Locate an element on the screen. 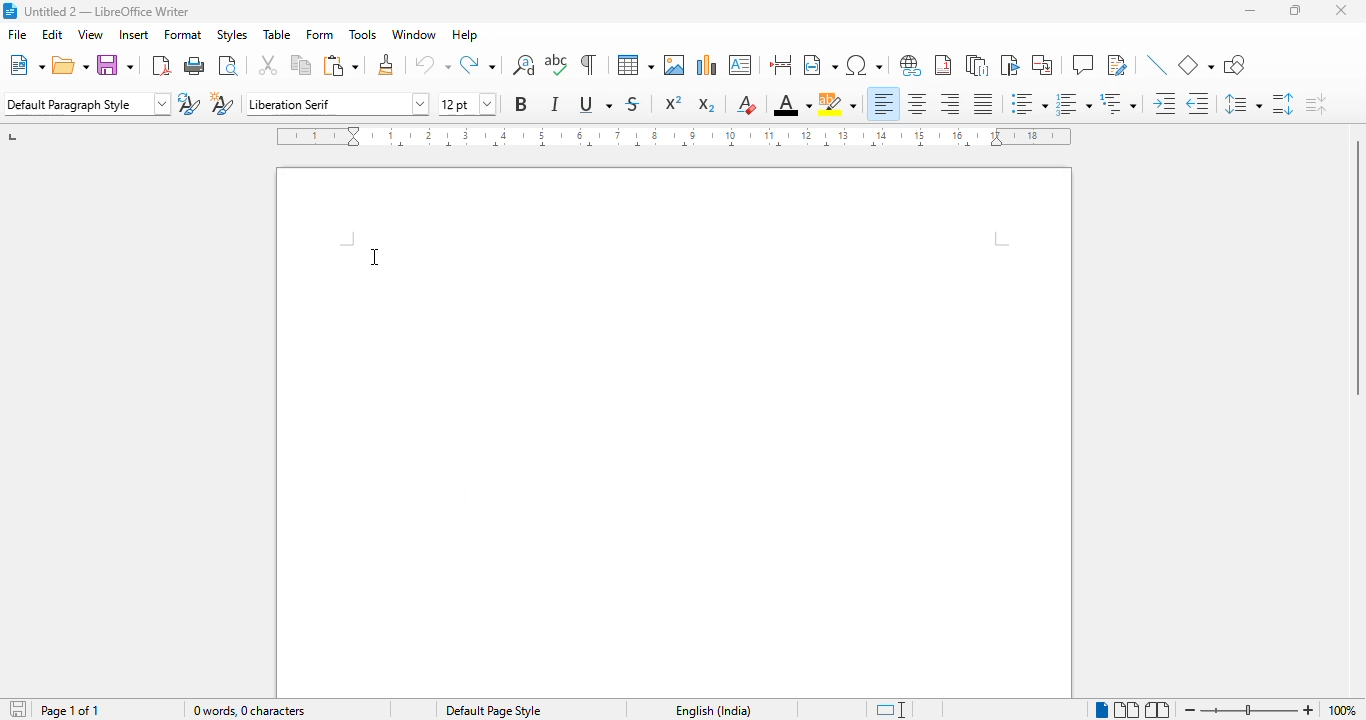 The image size is (1366, 720). single-page view is located at coordinates (1102, 710).